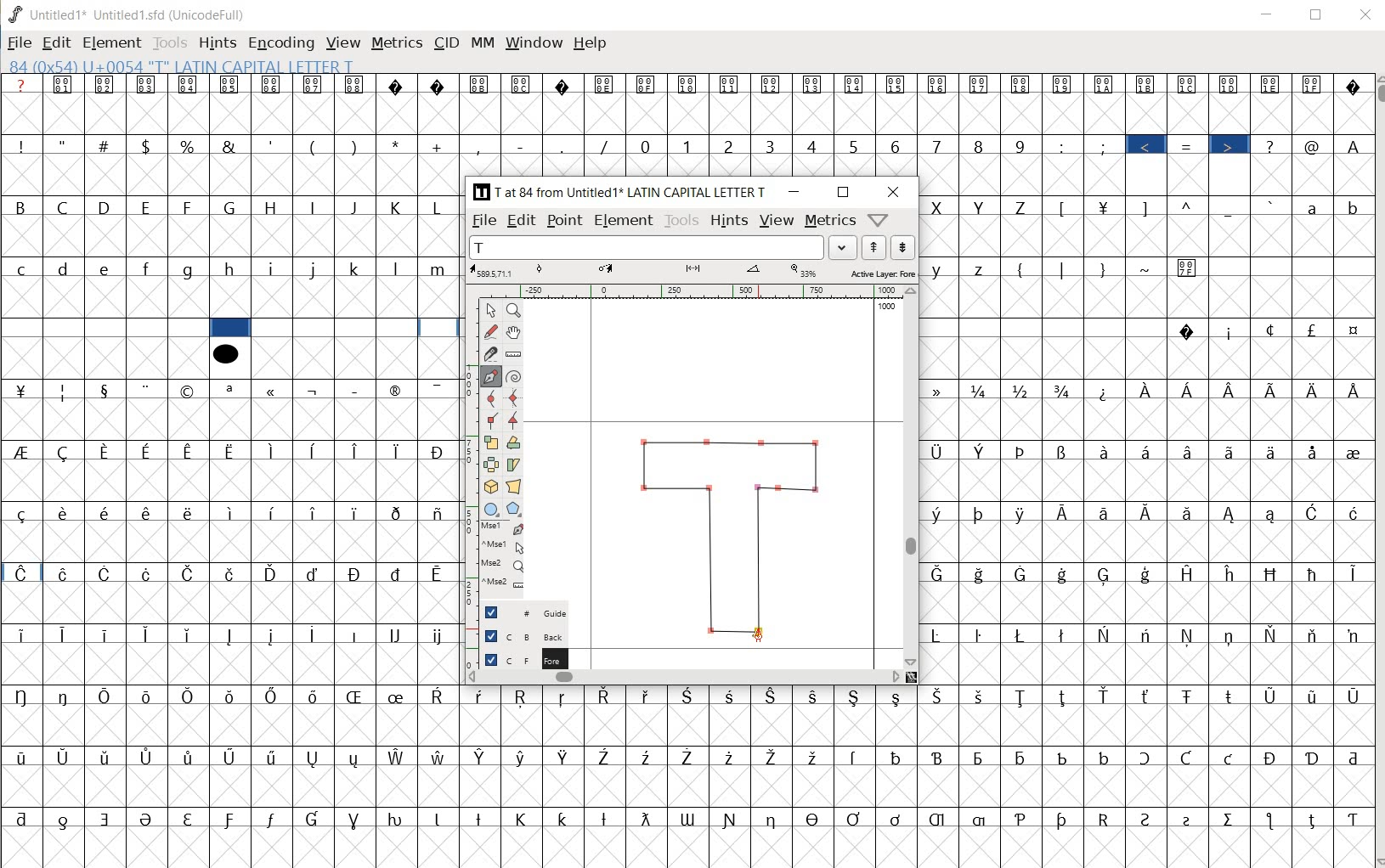  Describe the element at coordinates (856, 695) in the screenshot. I see `Symbol` at that location.